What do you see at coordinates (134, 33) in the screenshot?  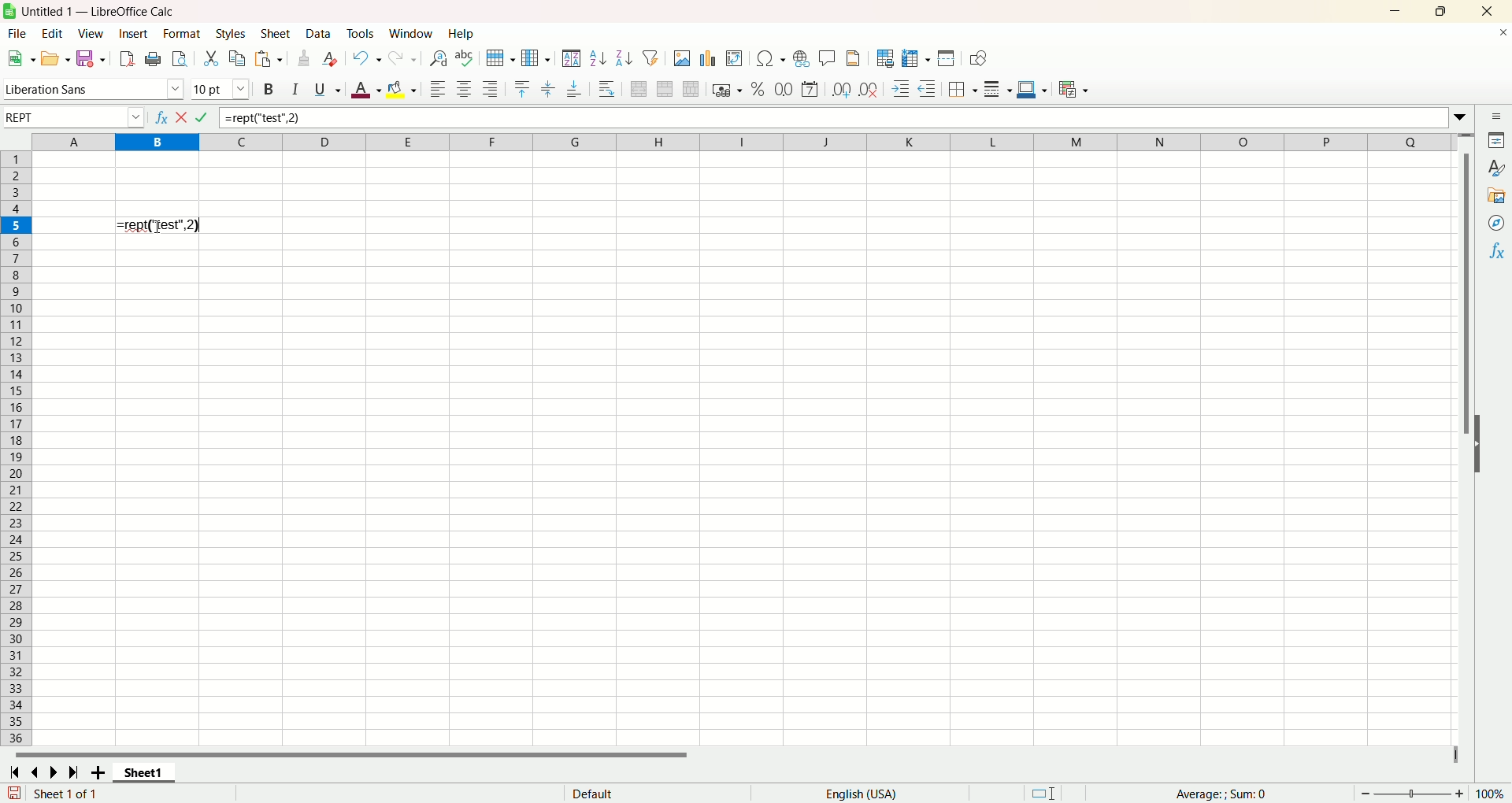 I see `insert` at bounding box center [134, 33].